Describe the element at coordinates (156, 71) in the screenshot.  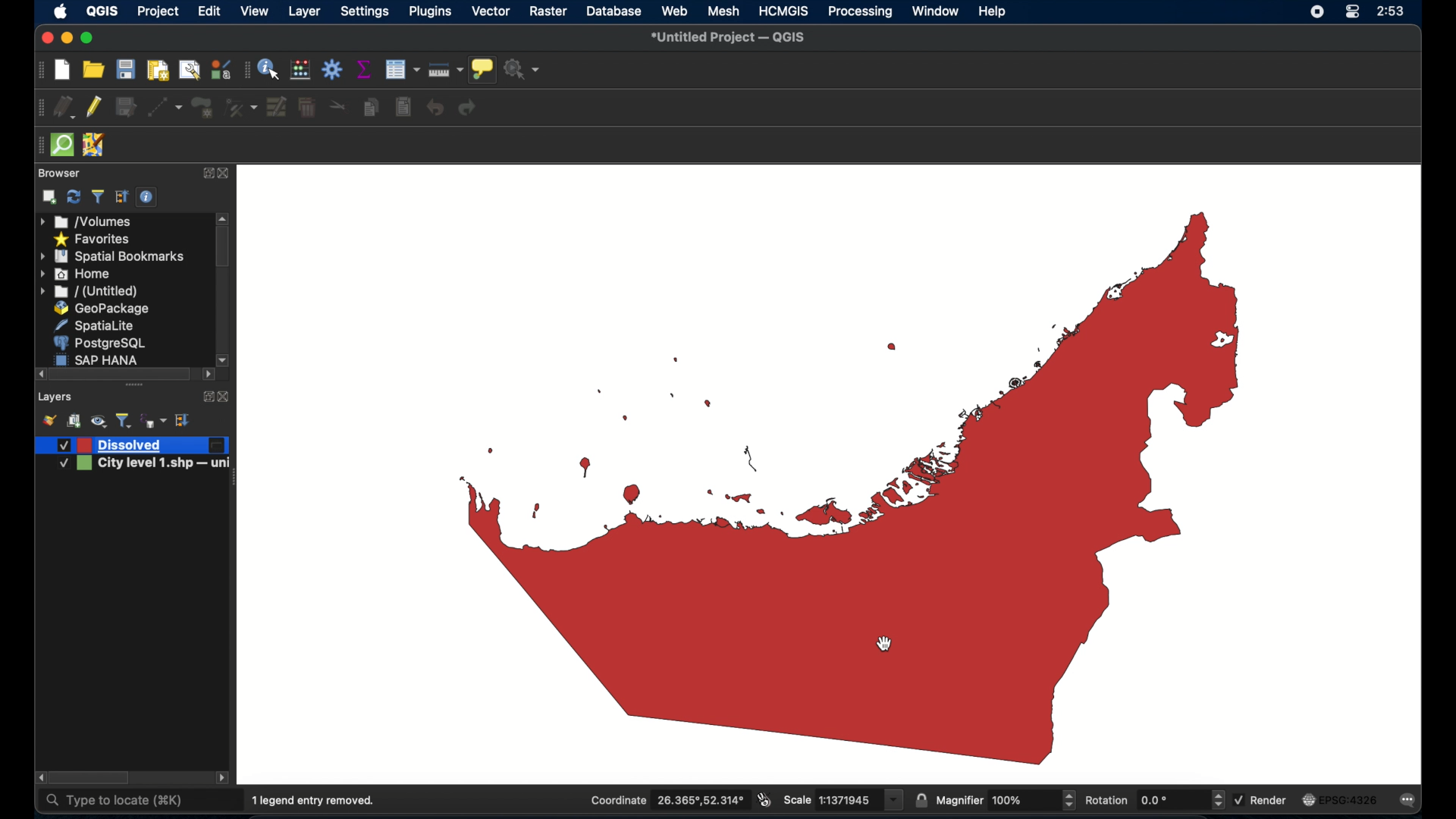
I see `print layout` at that location.